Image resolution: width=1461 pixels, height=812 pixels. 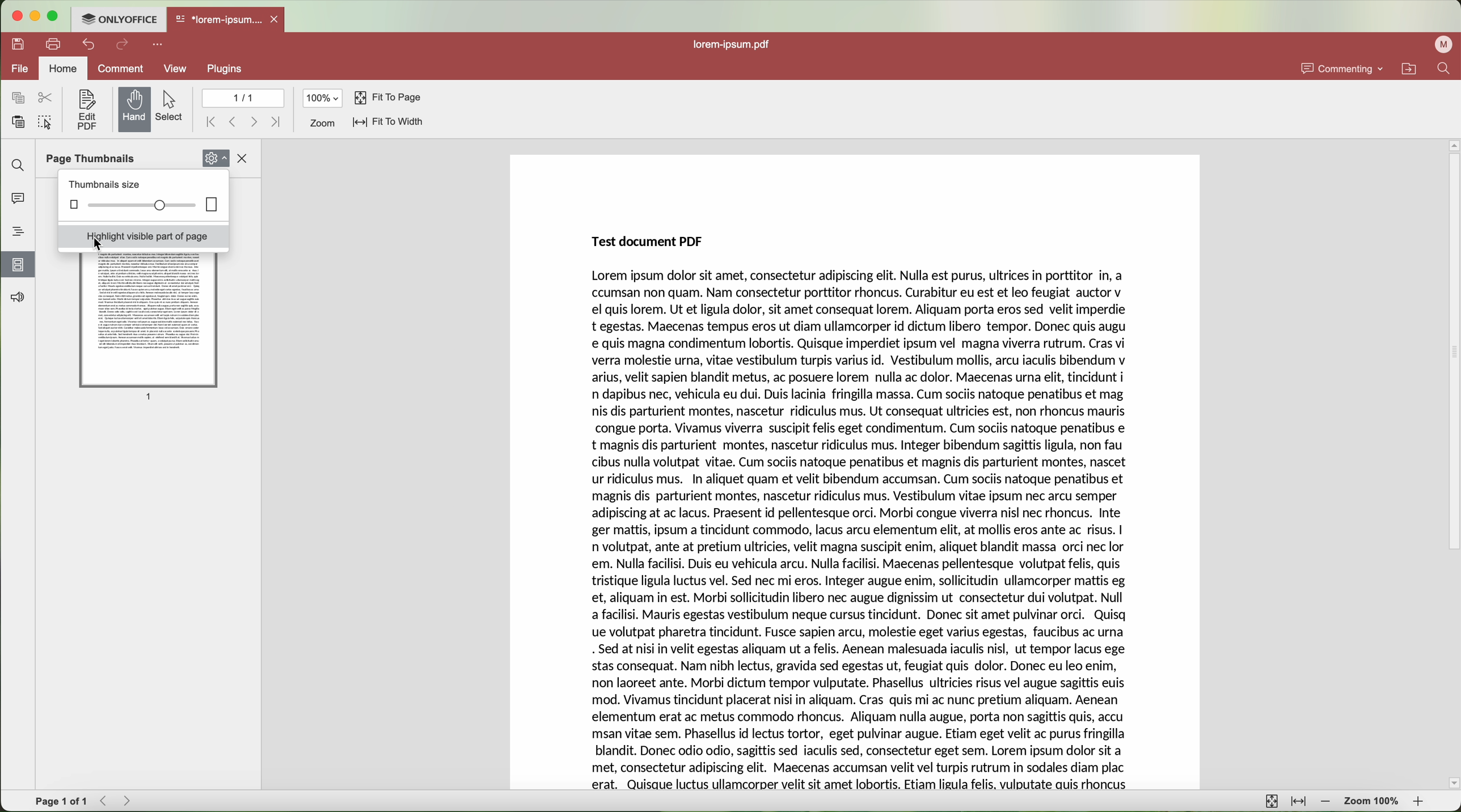 I want to click on fit to width, so click(x=1300, y=802).